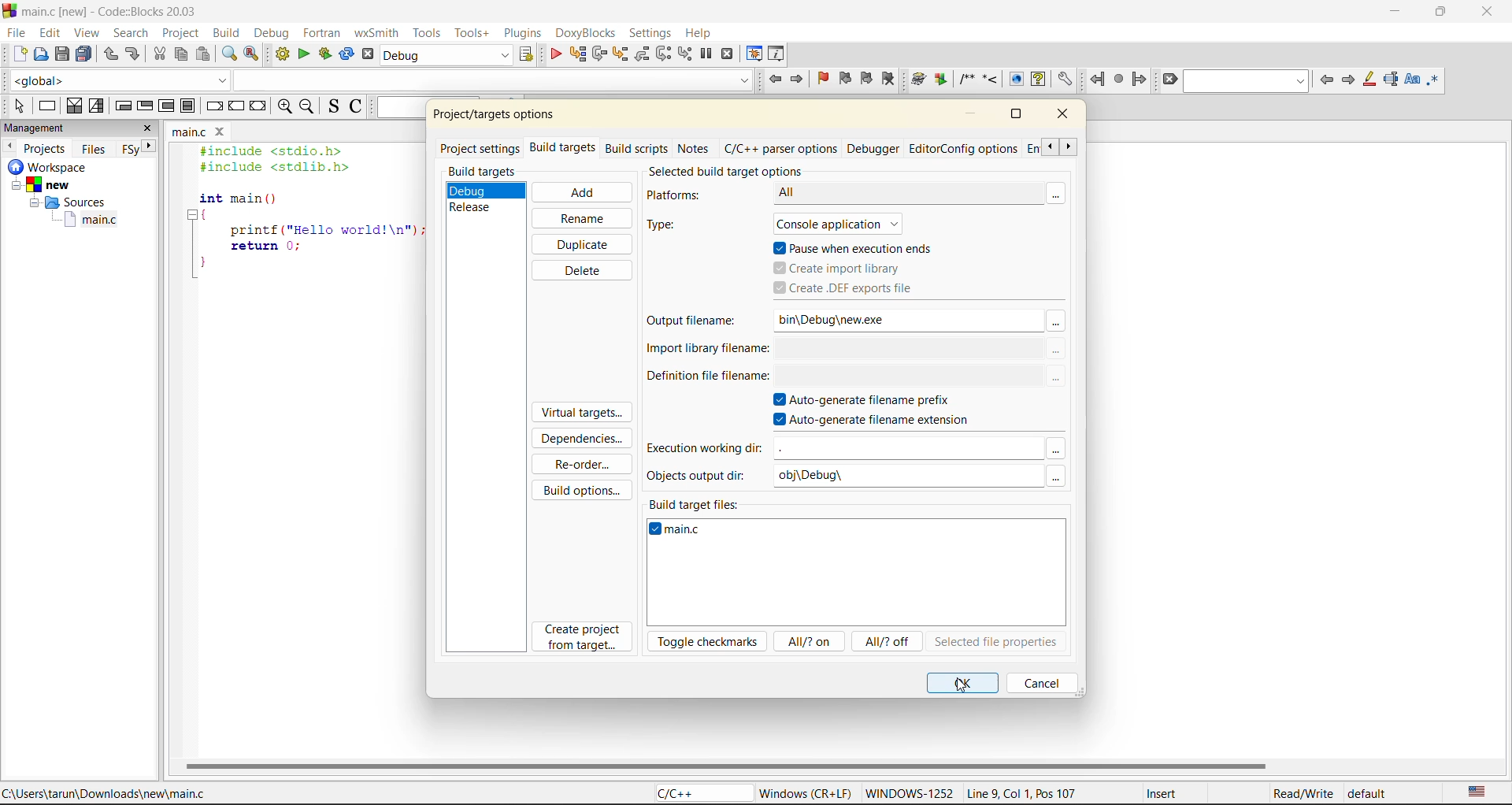 This screenshot has width=1512, height=805. What do you see at coordinates (482, 147) in the screenshot?
I see `project settings` at bounding box center [482, 147].